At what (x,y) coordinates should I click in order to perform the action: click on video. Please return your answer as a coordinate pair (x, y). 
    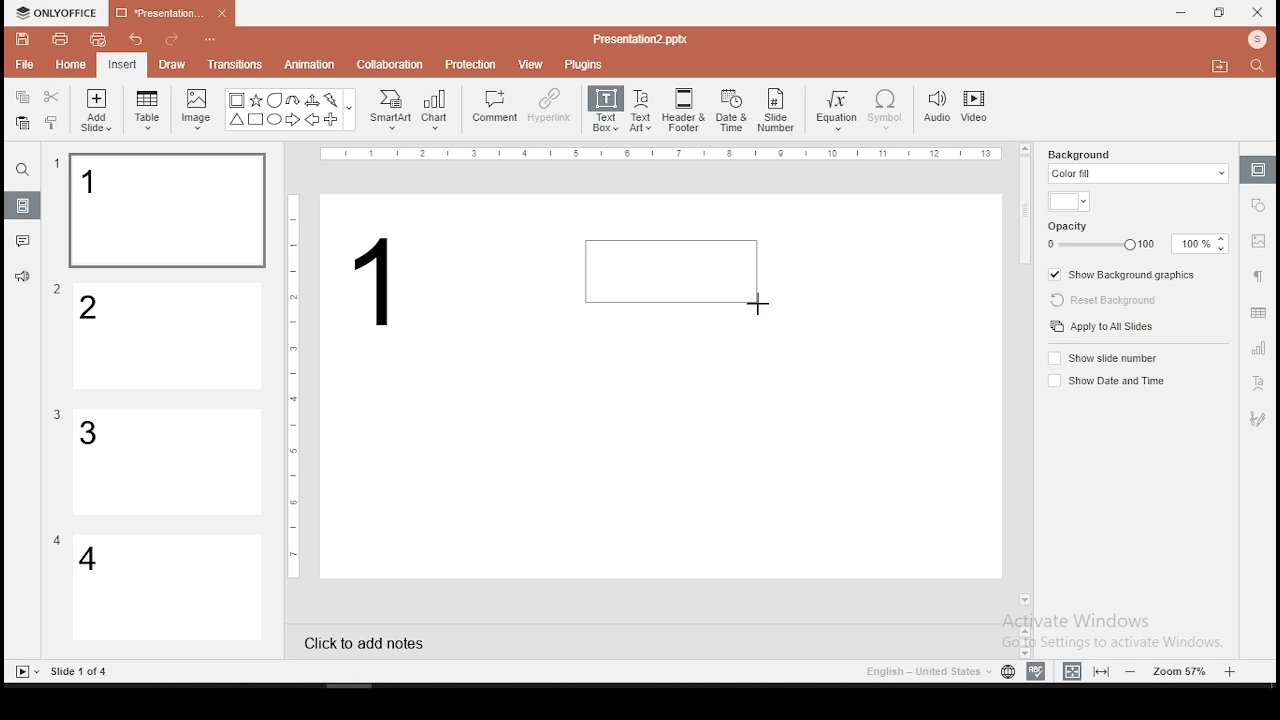
    Looking at the image, I should click on (974, 109).